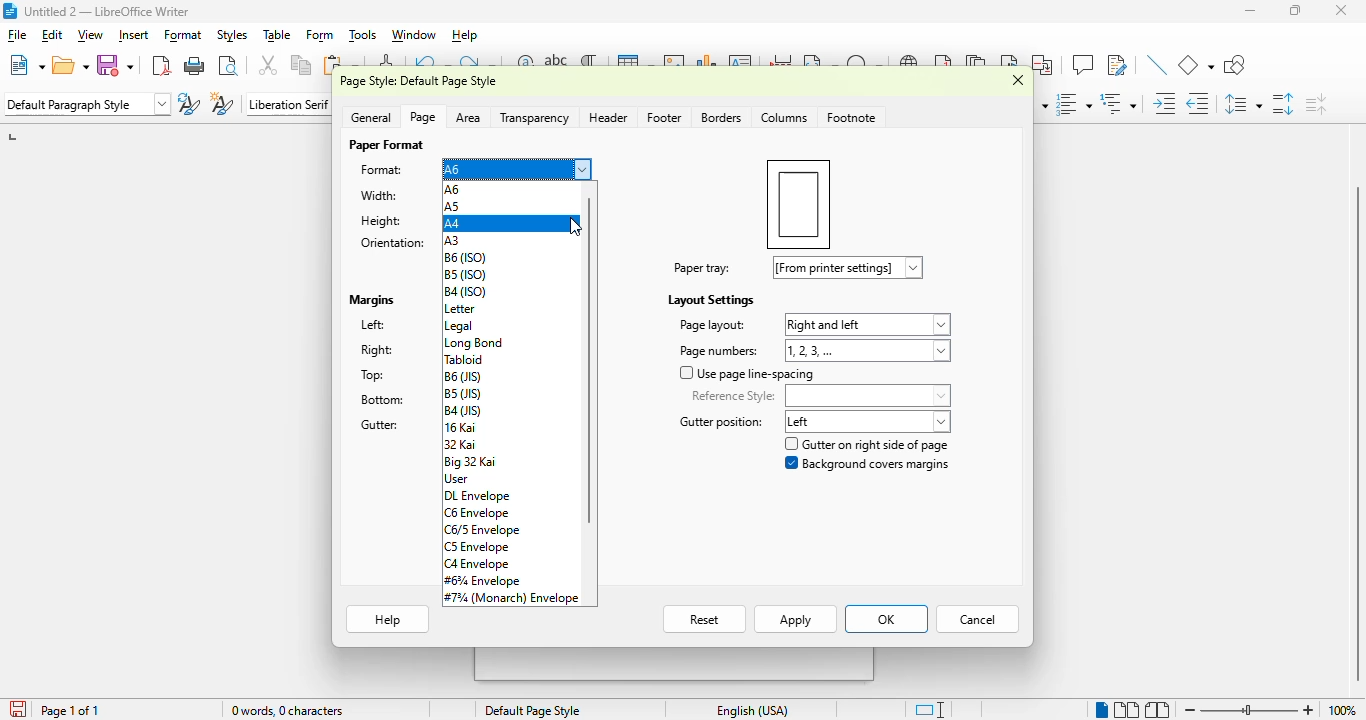 The image size is (1366, 720). Describe the element at coordinates (477, 513) in the screenshot. I see `C6 envelope` at that location.